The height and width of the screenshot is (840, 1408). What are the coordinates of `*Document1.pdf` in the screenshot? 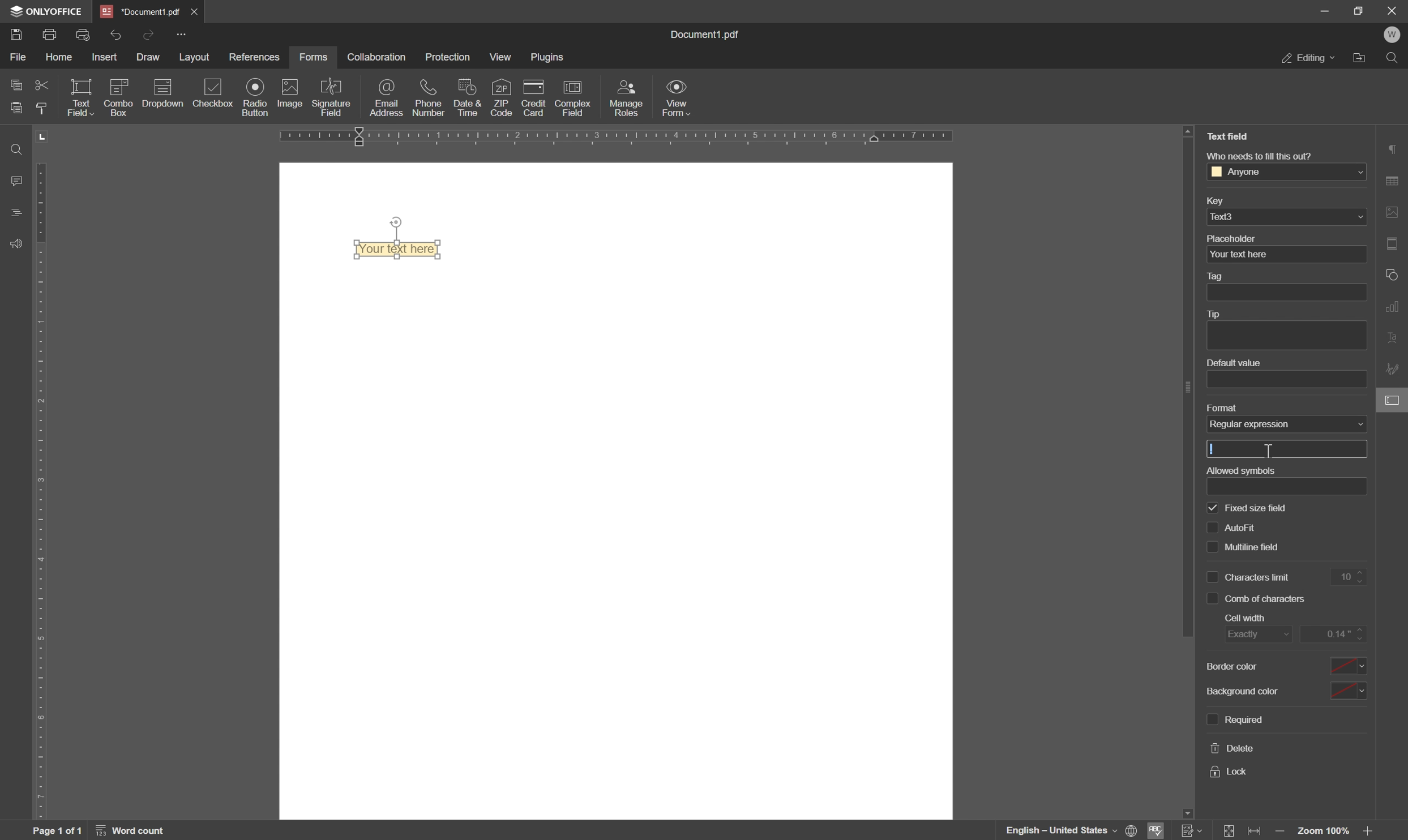 It's located at (141, 11).